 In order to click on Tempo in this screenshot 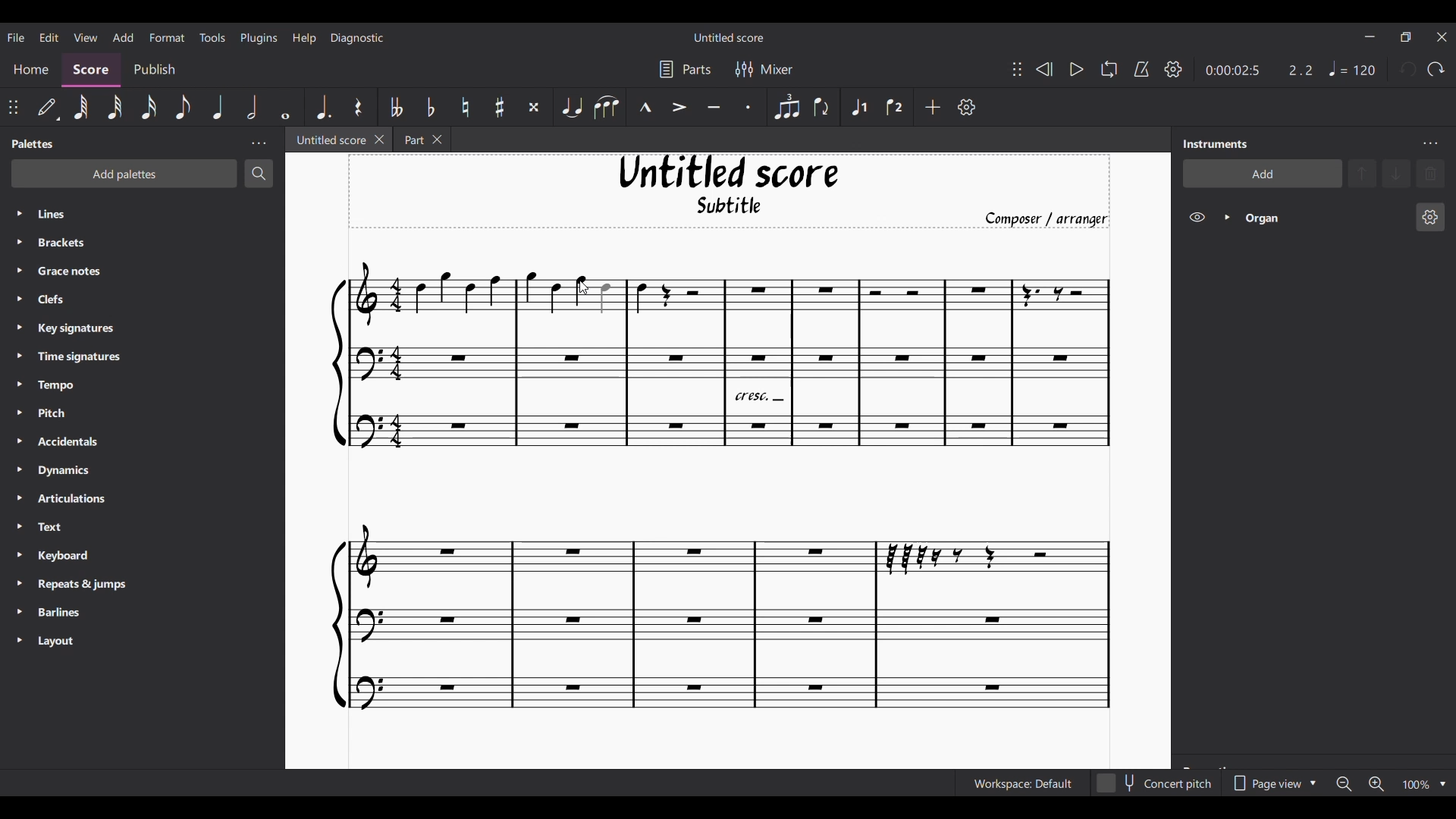, I will do `click(1352, 68)`.